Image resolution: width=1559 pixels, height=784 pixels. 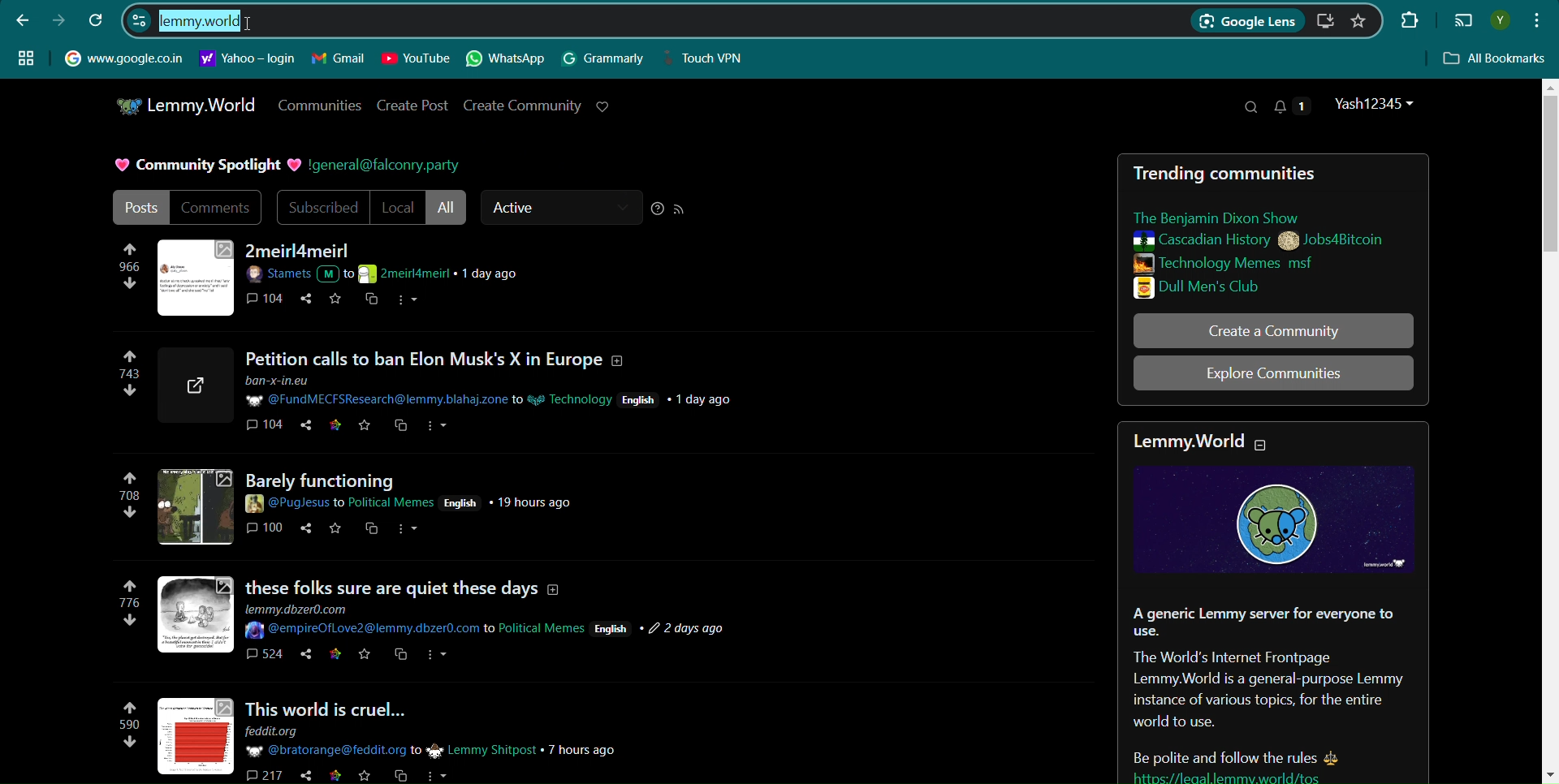 What do you see at coordinates (204, 166) in the screenshot?
I see `Text` at bounding box center [204, 166].